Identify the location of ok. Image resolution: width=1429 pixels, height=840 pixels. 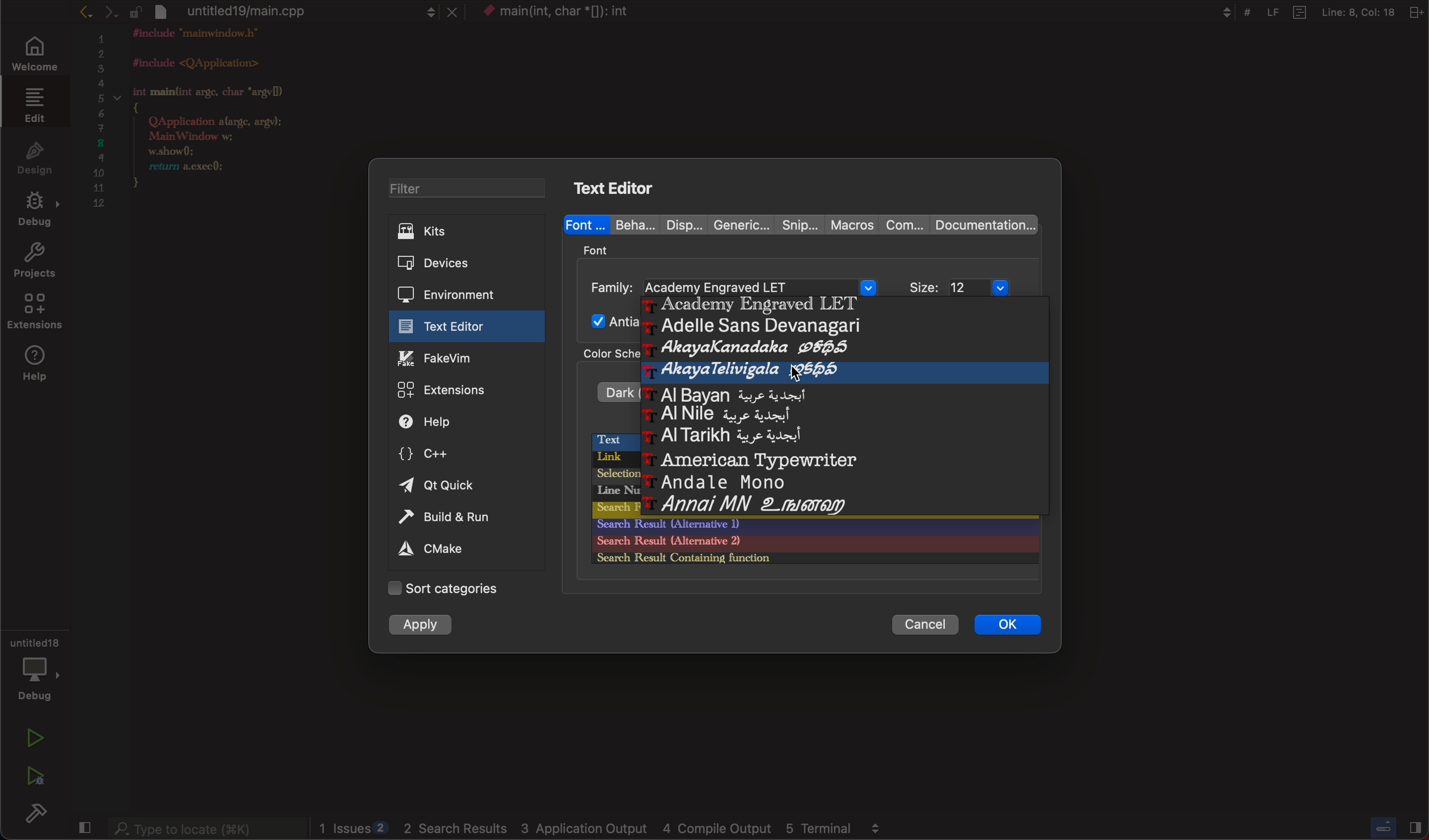
(1006, 624).